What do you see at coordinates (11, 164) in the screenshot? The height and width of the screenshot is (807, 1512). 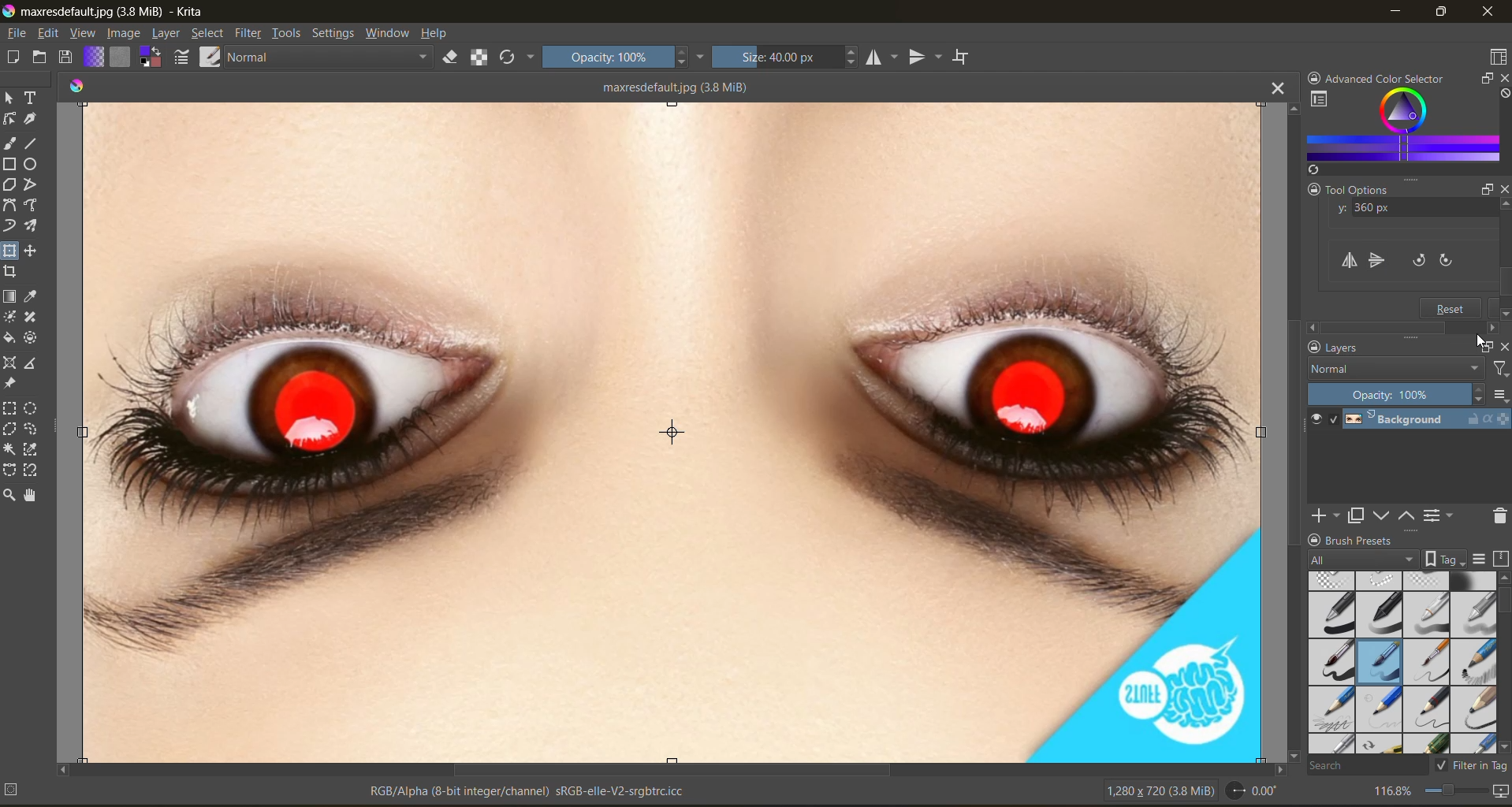 I see `tool` at bounding box center [11, 164].